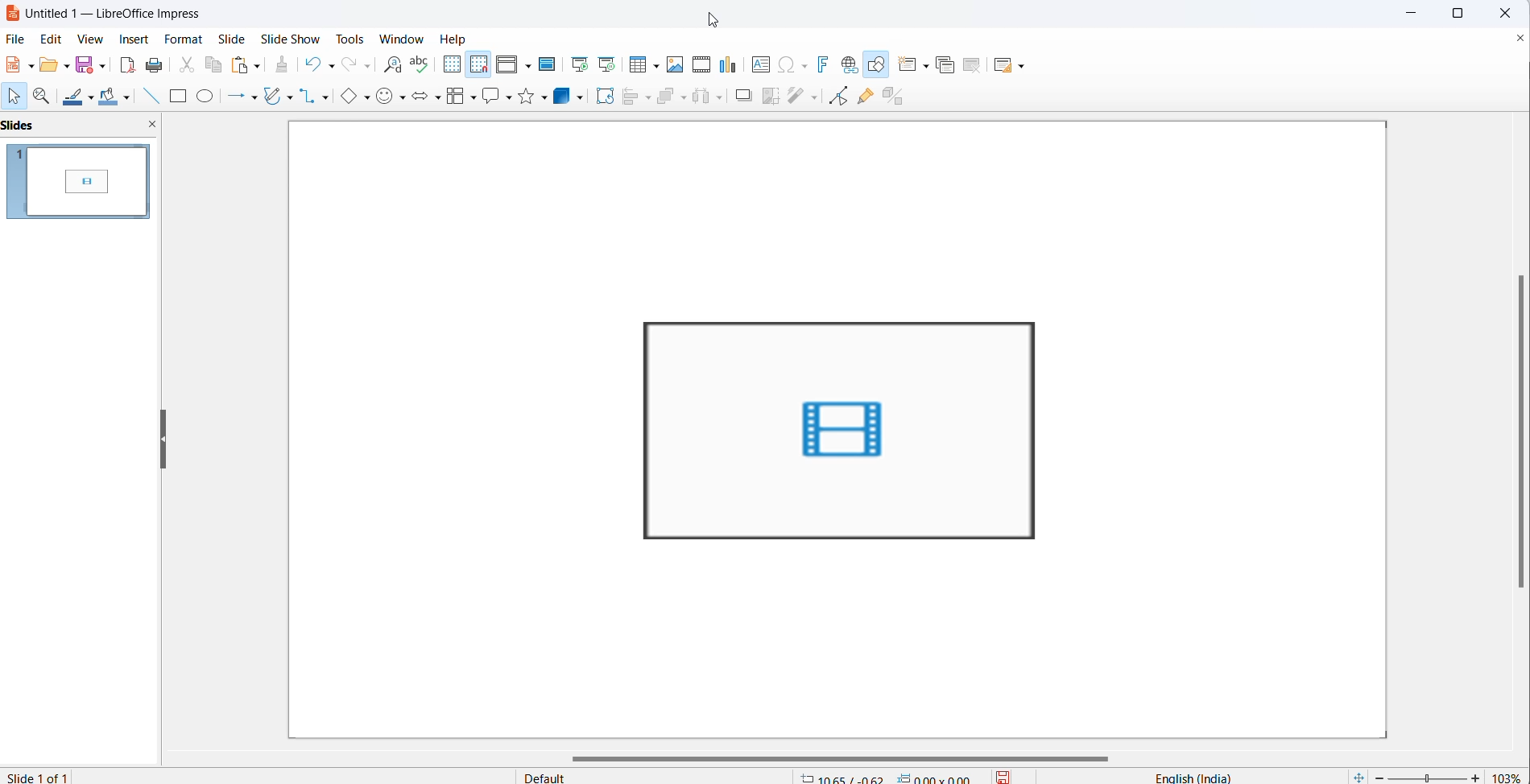  Describe the element at coordinates (1508, 774) in the screenshot. I see `zoom percentage` at that location.